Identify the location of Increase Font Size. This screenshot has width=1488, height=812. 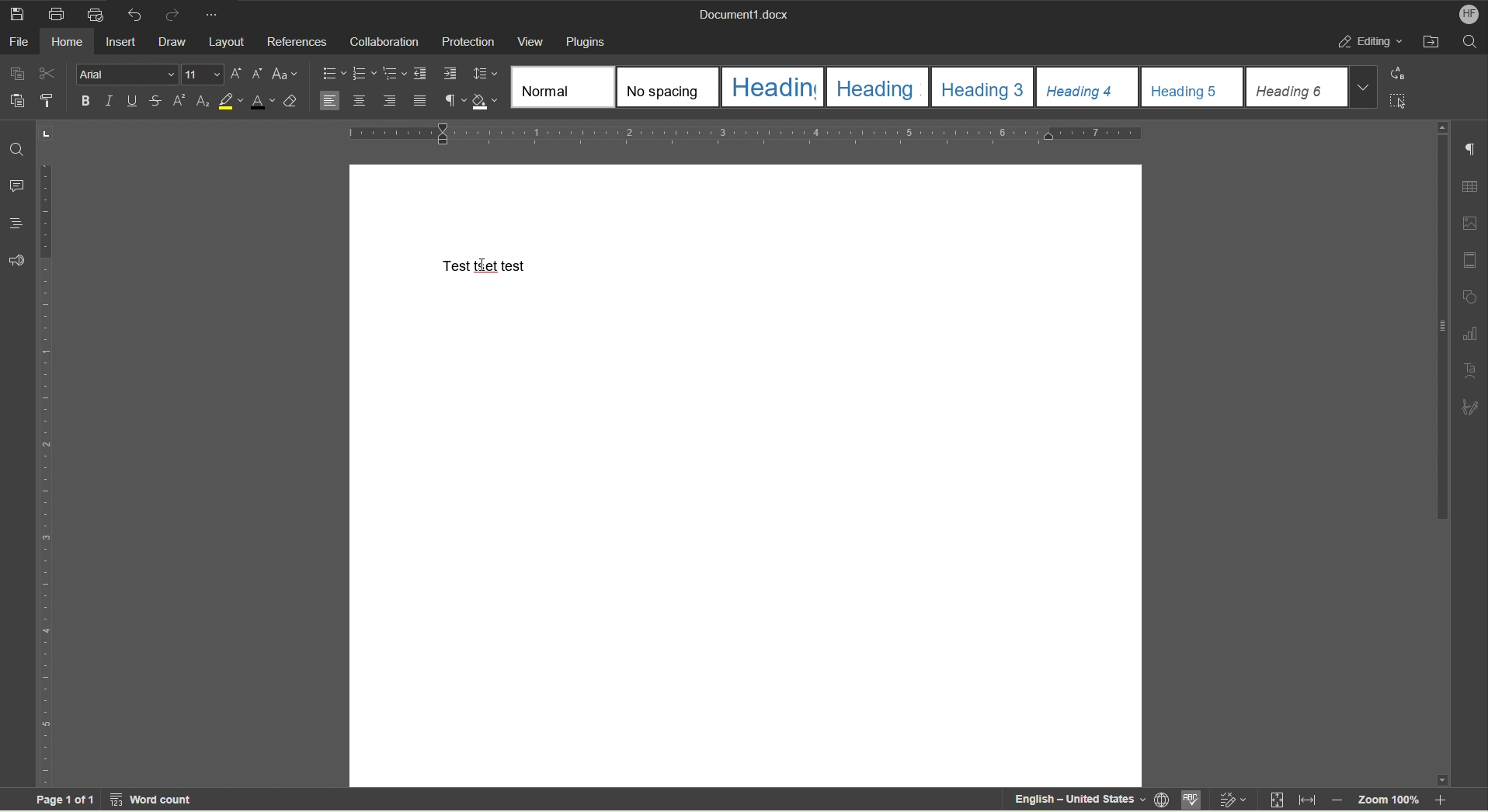
(237, 75).